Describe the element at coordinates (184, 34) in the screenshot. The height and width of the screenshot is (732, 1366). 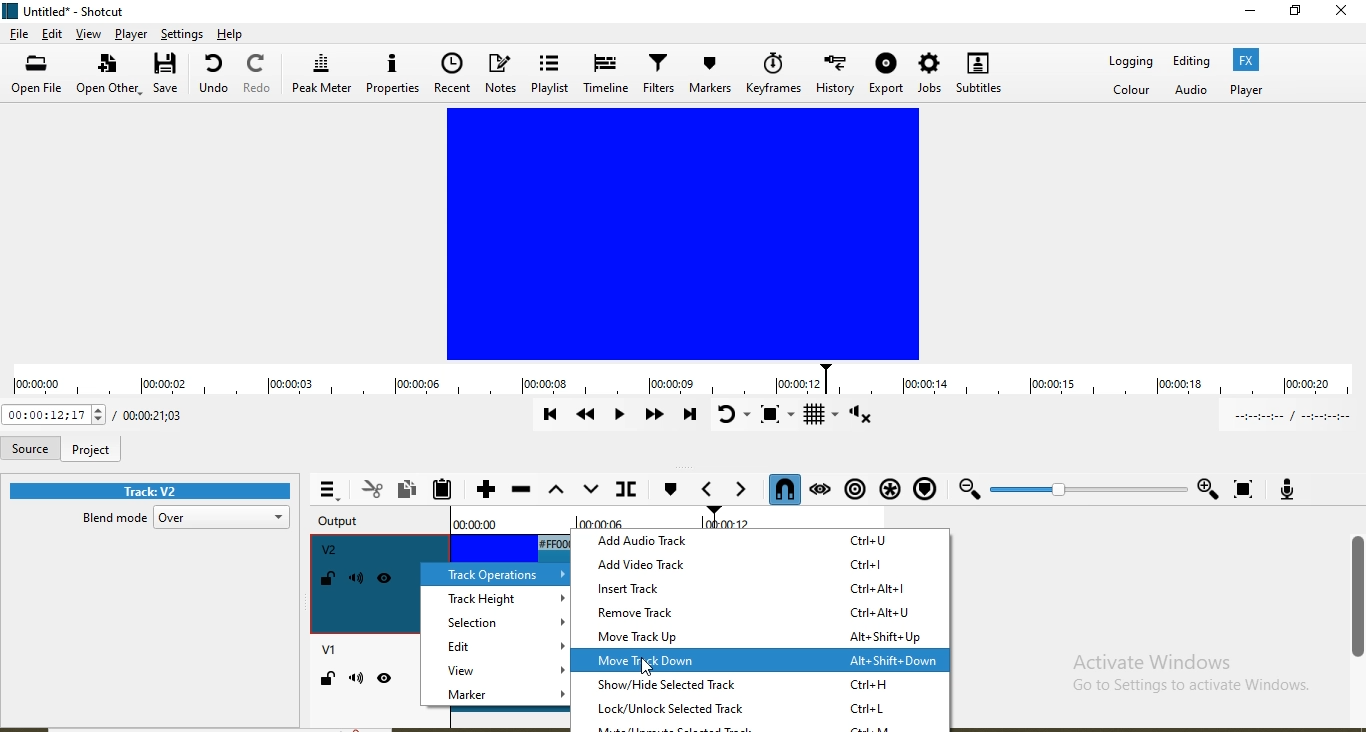
I see `Settings` at that location.